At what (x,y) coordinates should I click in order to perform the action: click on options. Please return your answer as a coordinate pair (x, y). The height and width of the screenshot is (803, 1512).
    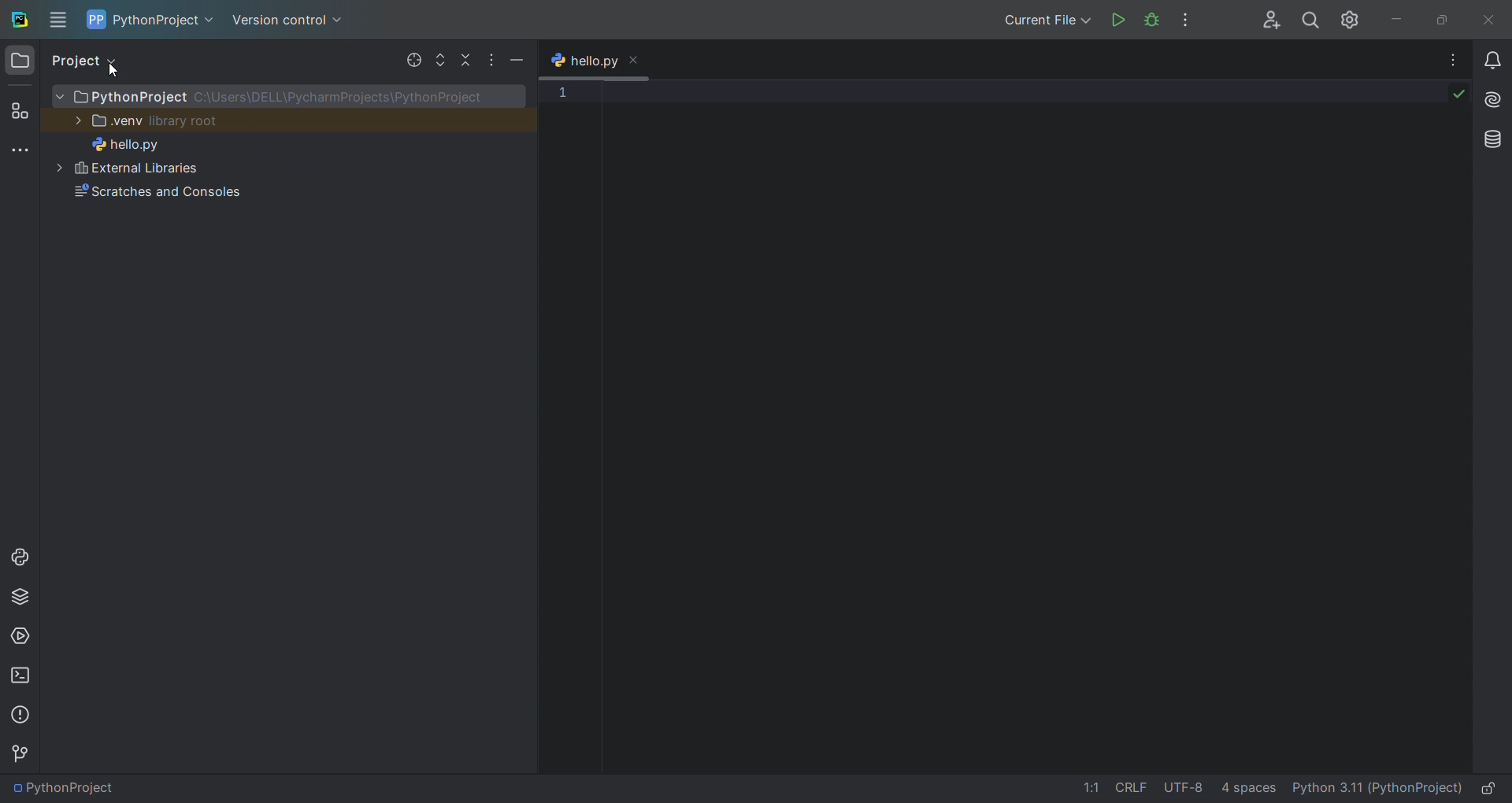
    Looking at the image, I should click on (1454, 57).